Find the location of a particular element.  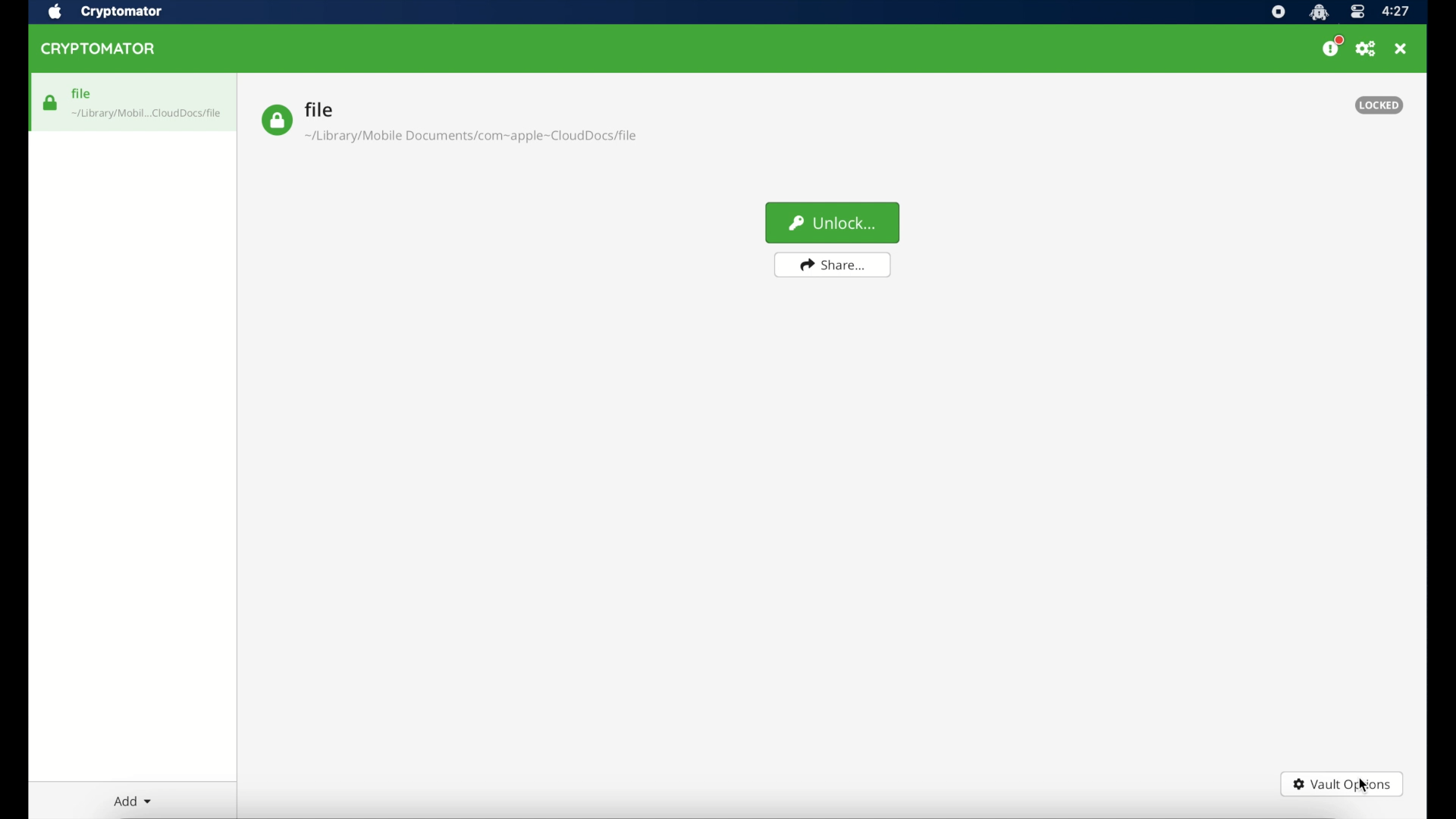

file is located at coordinates (449, 122).